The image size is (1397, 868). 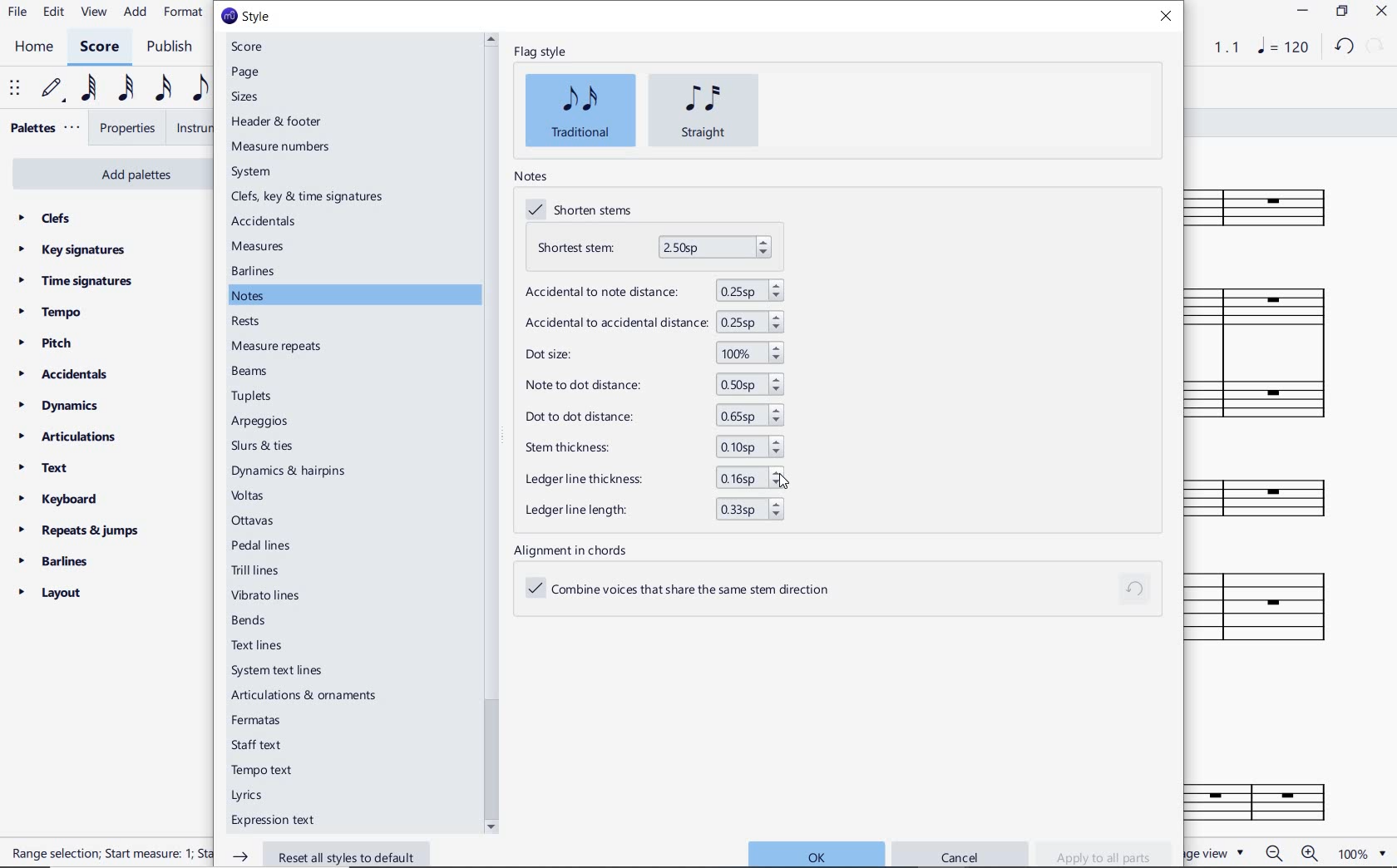 I want to click on articulations & ornaments, so click(x=304, y=693).